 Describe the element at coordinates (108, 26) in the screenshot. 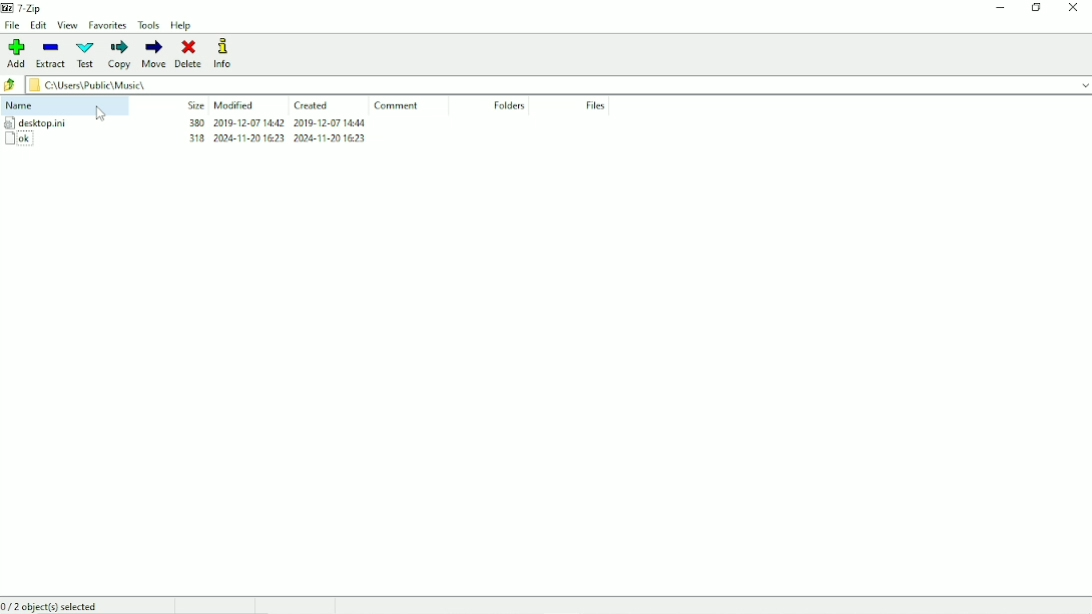

I see `Favorites` at that location.